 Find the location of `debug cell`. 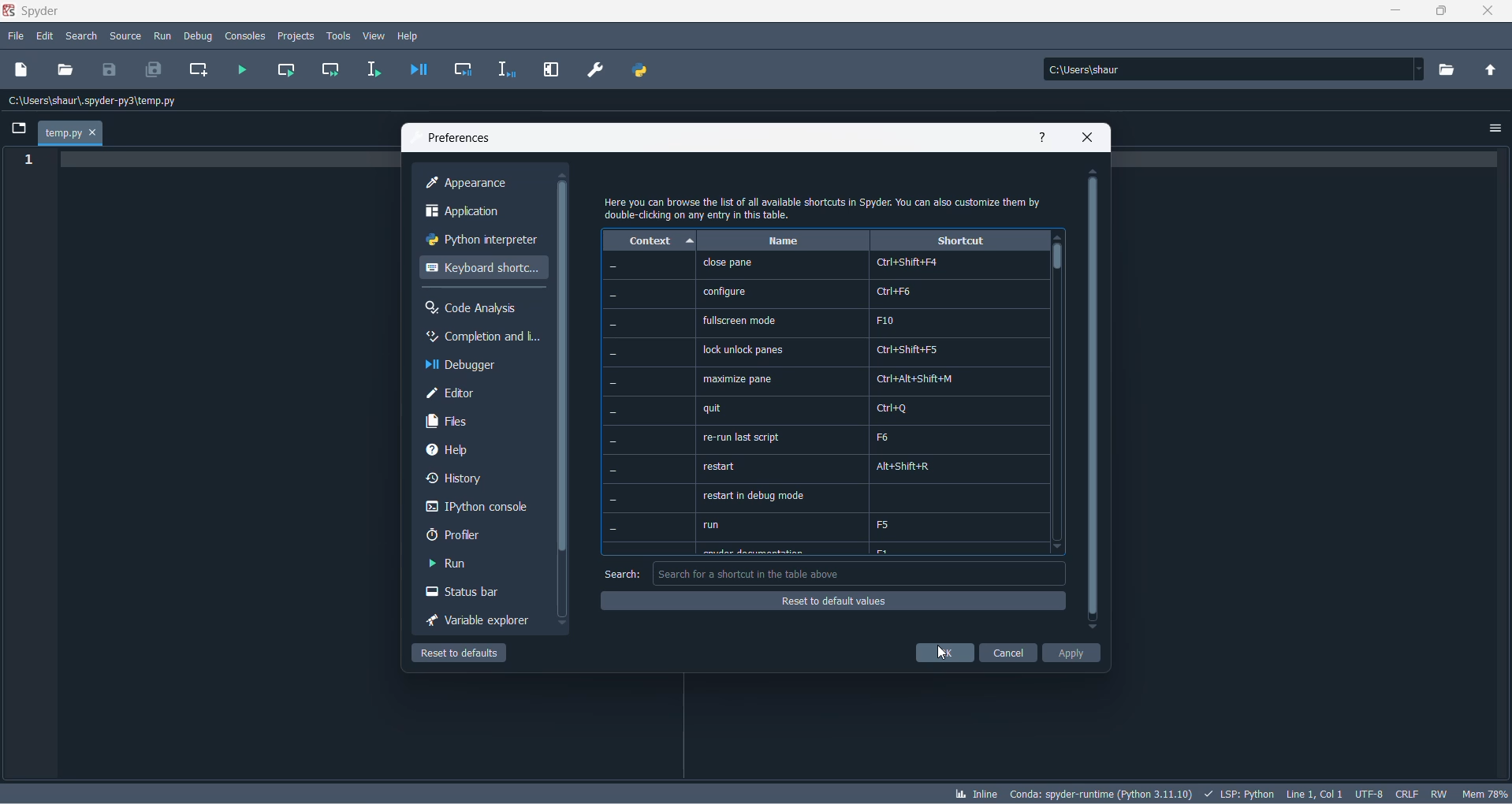

debug cell is located at coordinates (464, 71).